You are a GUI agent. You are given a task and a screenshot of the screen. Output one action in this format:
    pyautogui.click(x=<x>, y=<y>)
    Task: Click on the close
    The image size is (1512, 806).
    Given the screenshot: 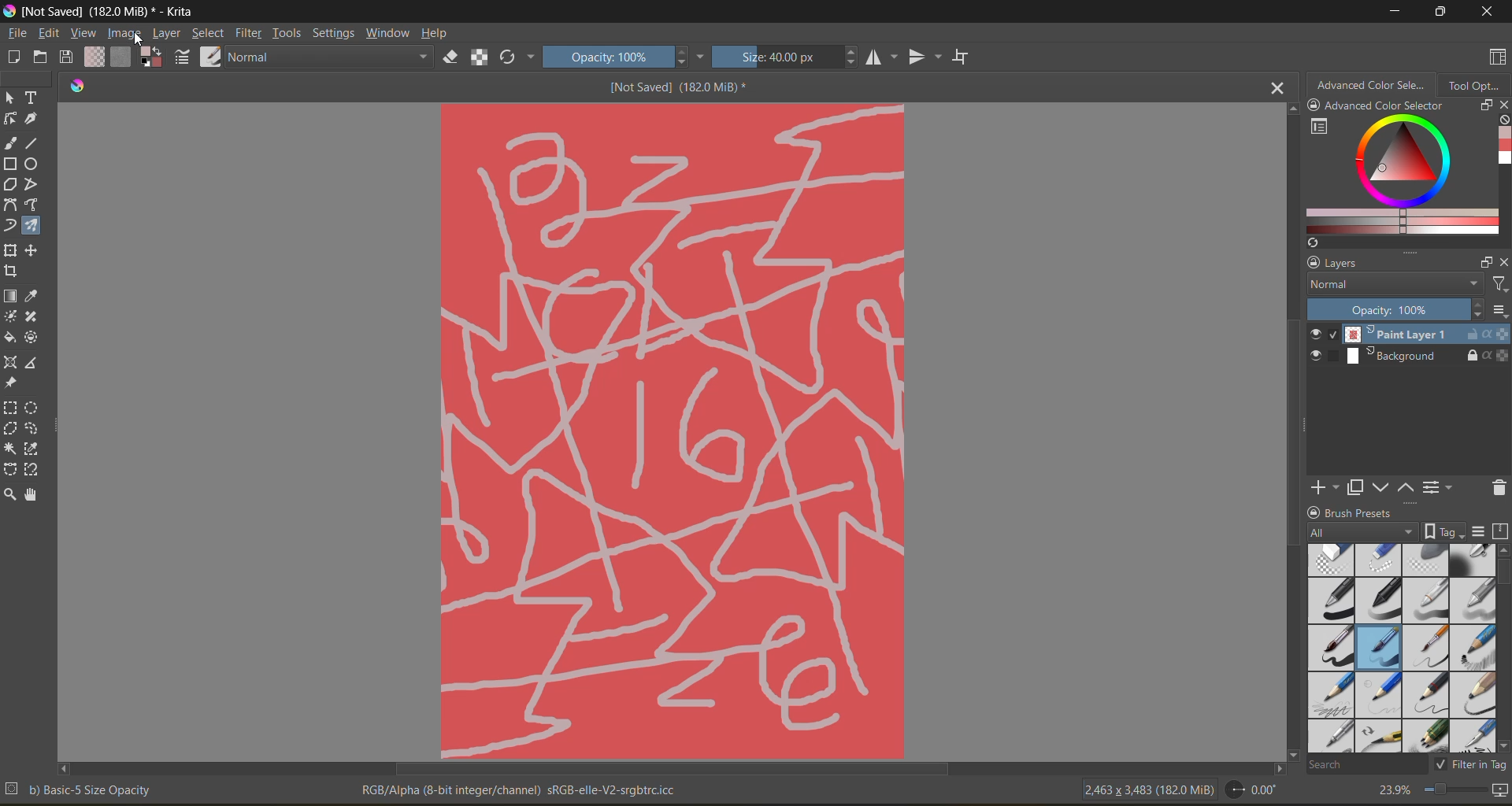 What is the action you would take?
    pyautogui.click(x=1489, y=13)
    